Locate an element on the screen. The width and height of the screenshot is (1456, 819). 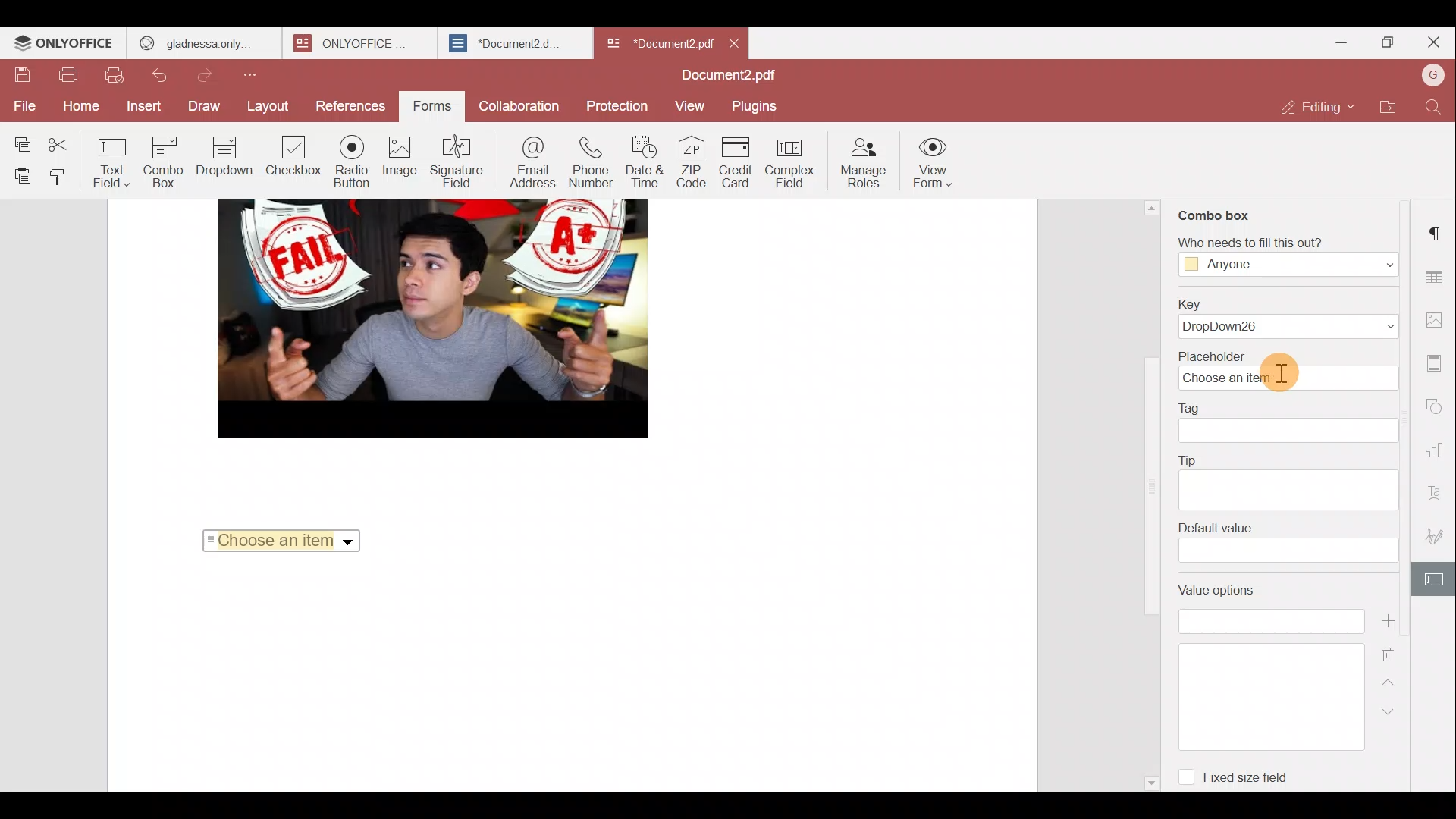
Close is located at coordinates (1433, 42).